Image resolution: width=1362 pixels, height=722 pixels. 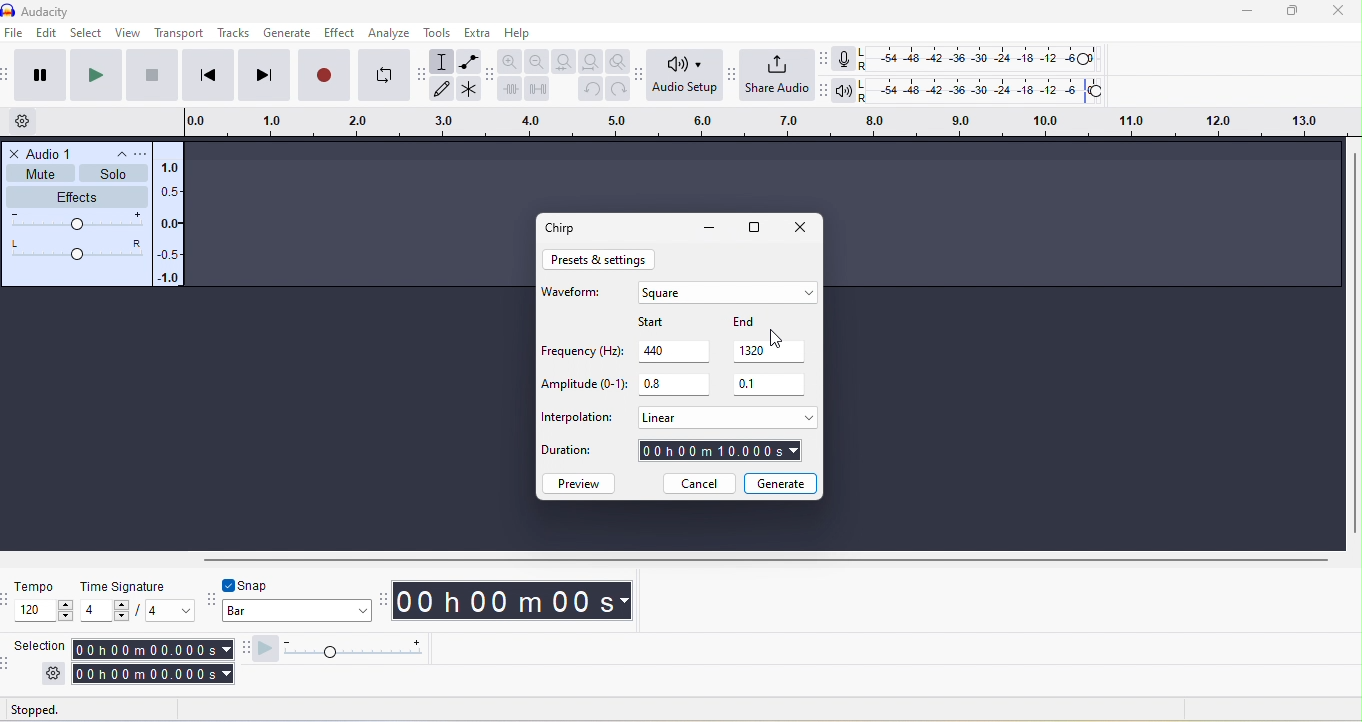 I want to click on select, so click(x=86, y=34).